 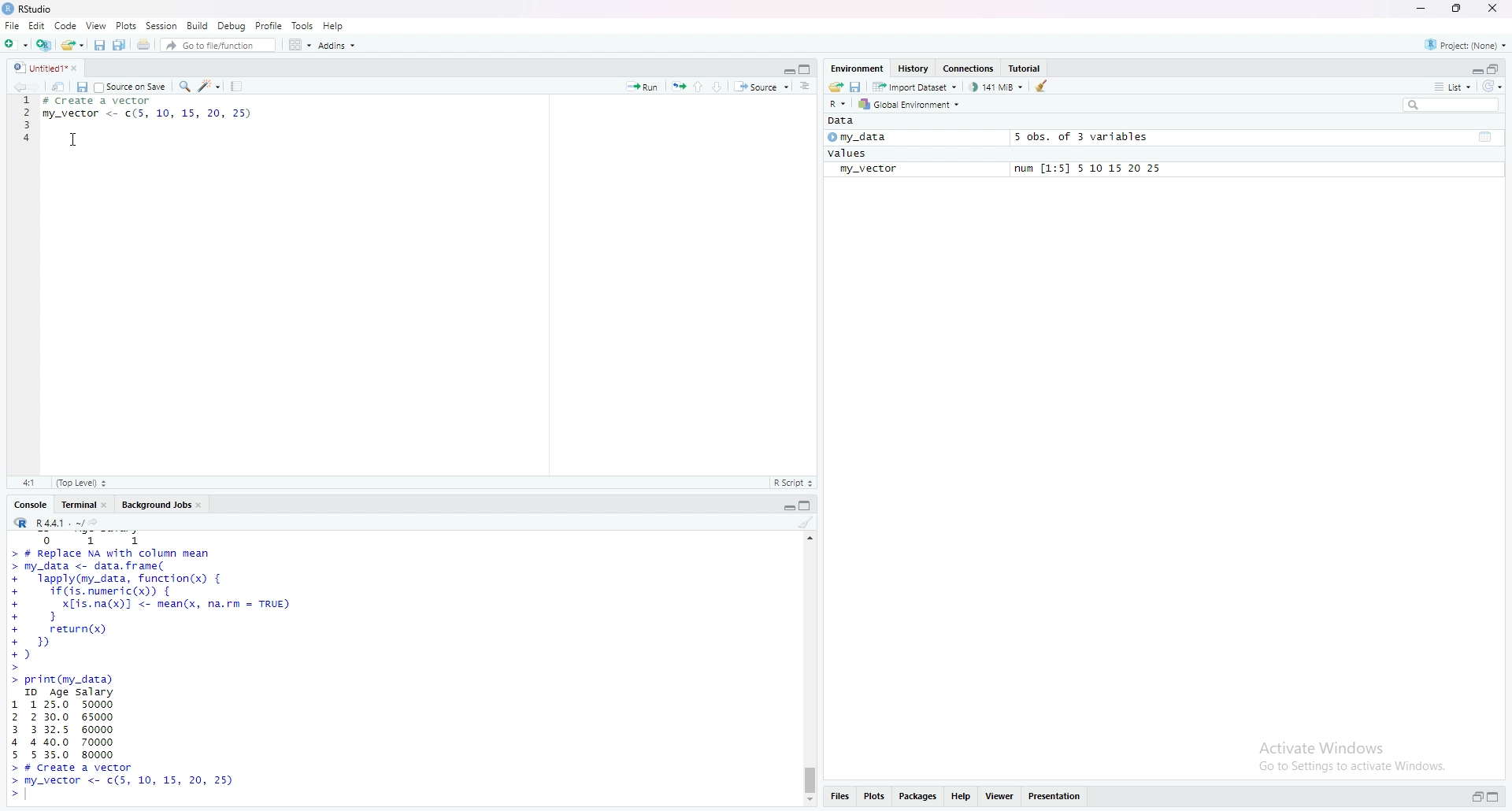 I want to click on open an existing file, so click(x=73, y=46).